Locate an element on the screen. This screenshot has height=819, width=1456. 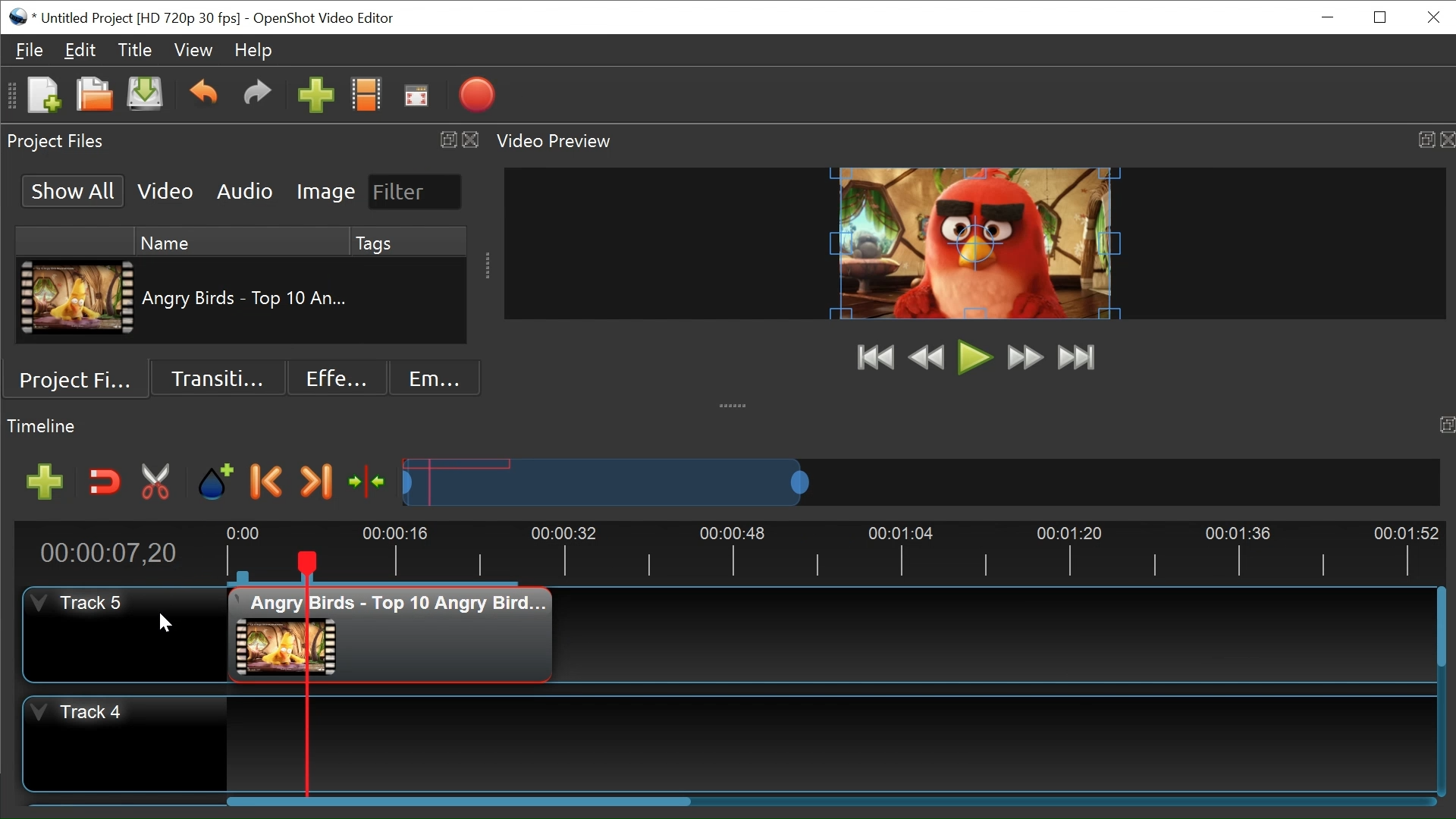
Emoji is located at coordinates (430, 378).